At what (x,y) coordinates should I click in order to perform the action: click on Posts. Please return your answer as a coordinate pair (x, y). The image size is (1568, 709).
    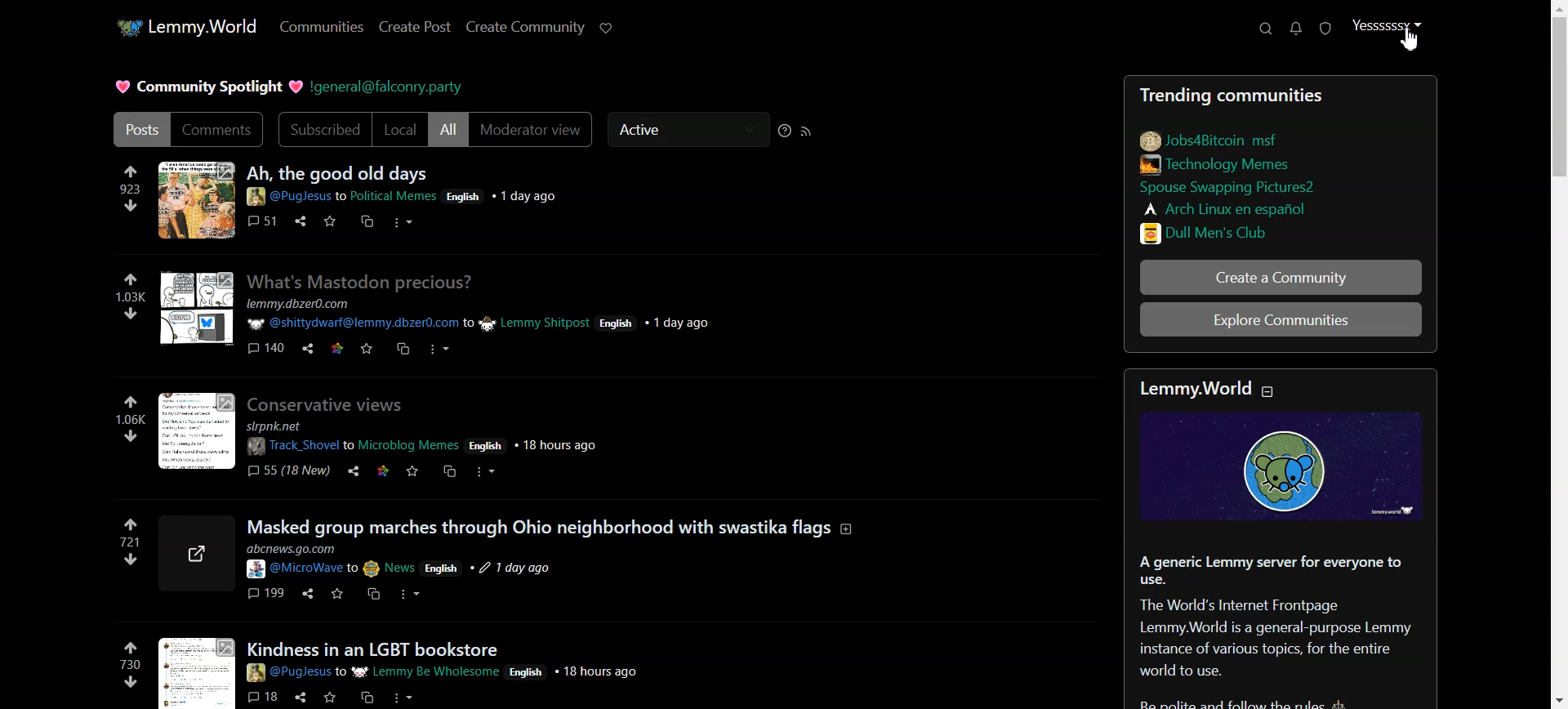
    Looking at the image, I should click on (340, 172).